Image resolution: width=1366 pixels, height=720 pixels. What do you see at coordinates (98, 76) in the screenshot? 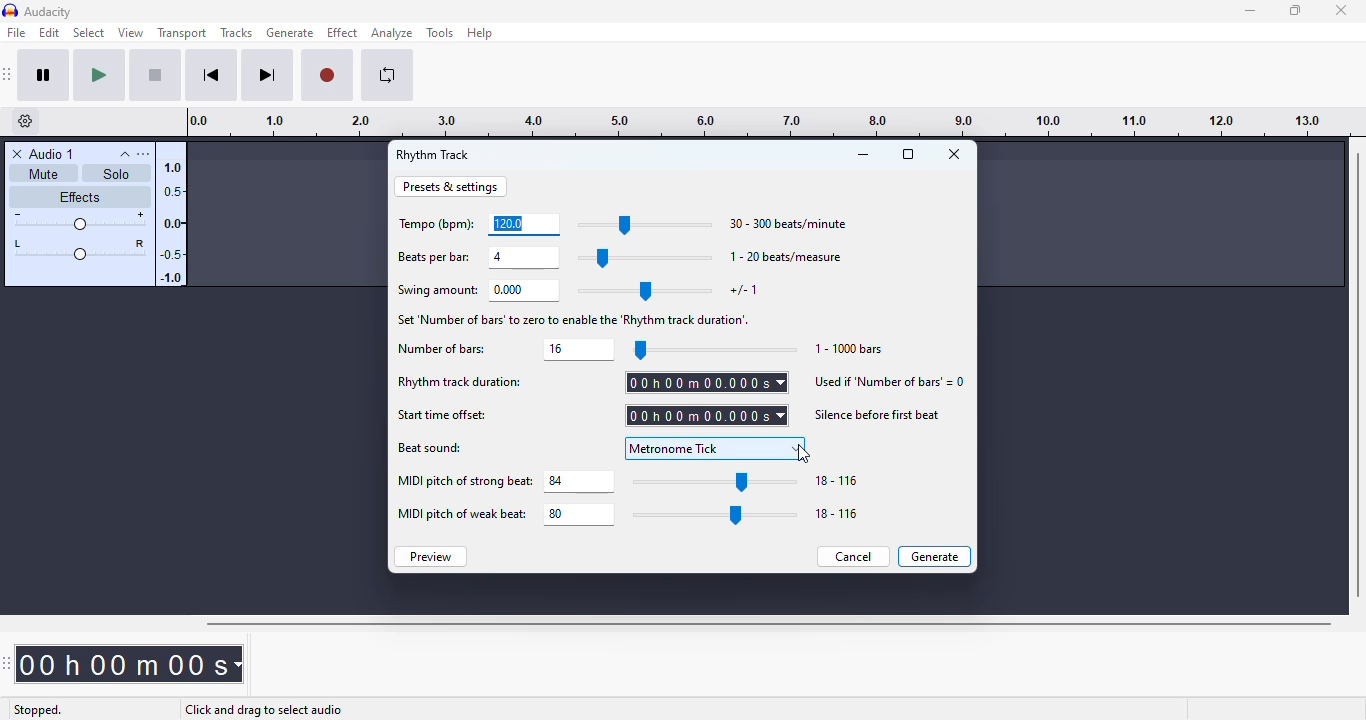
I see `play` at bounding box center [98, 76].